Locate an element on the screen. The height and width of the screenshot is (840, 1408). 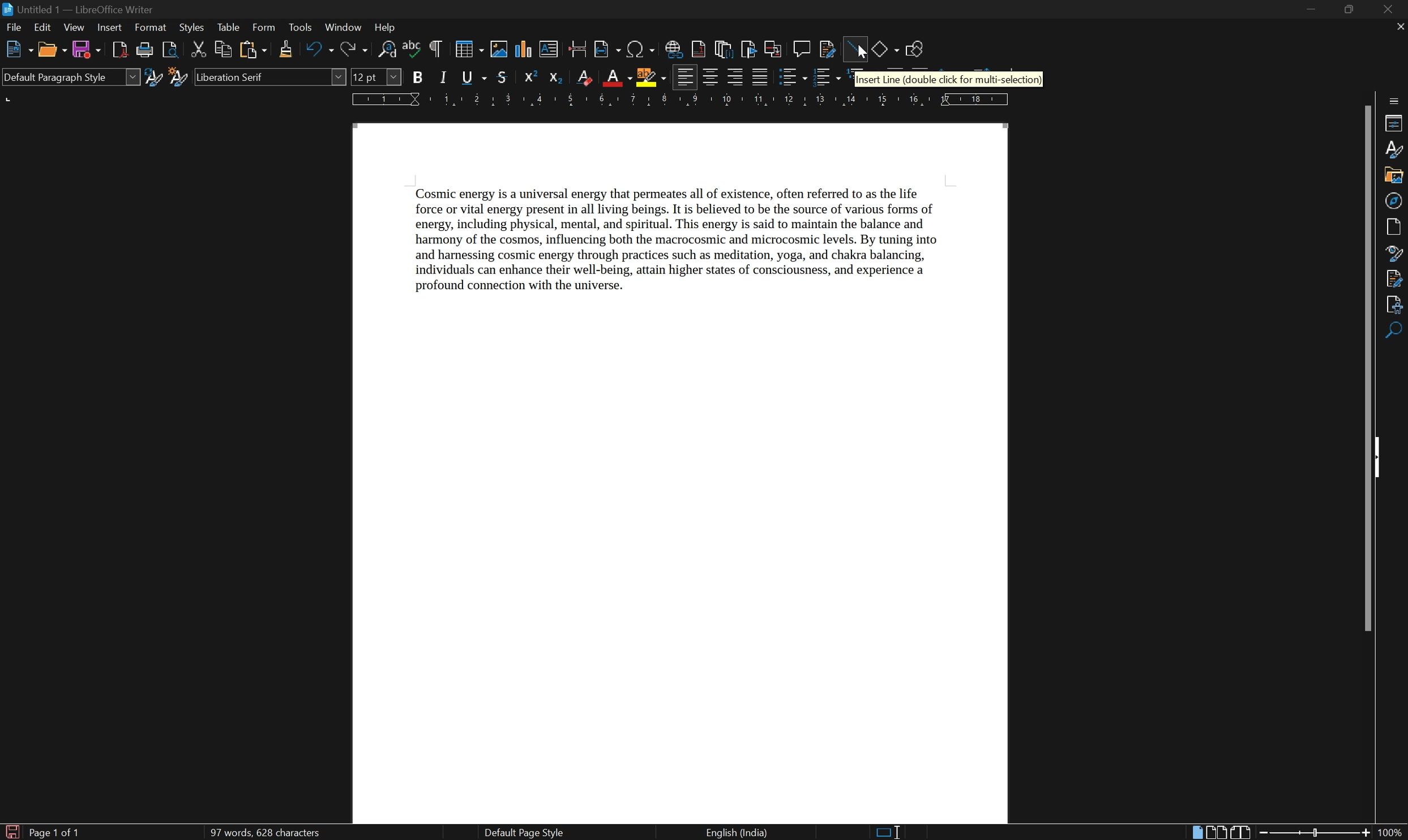
default page style is located at coordinates (523, 833).